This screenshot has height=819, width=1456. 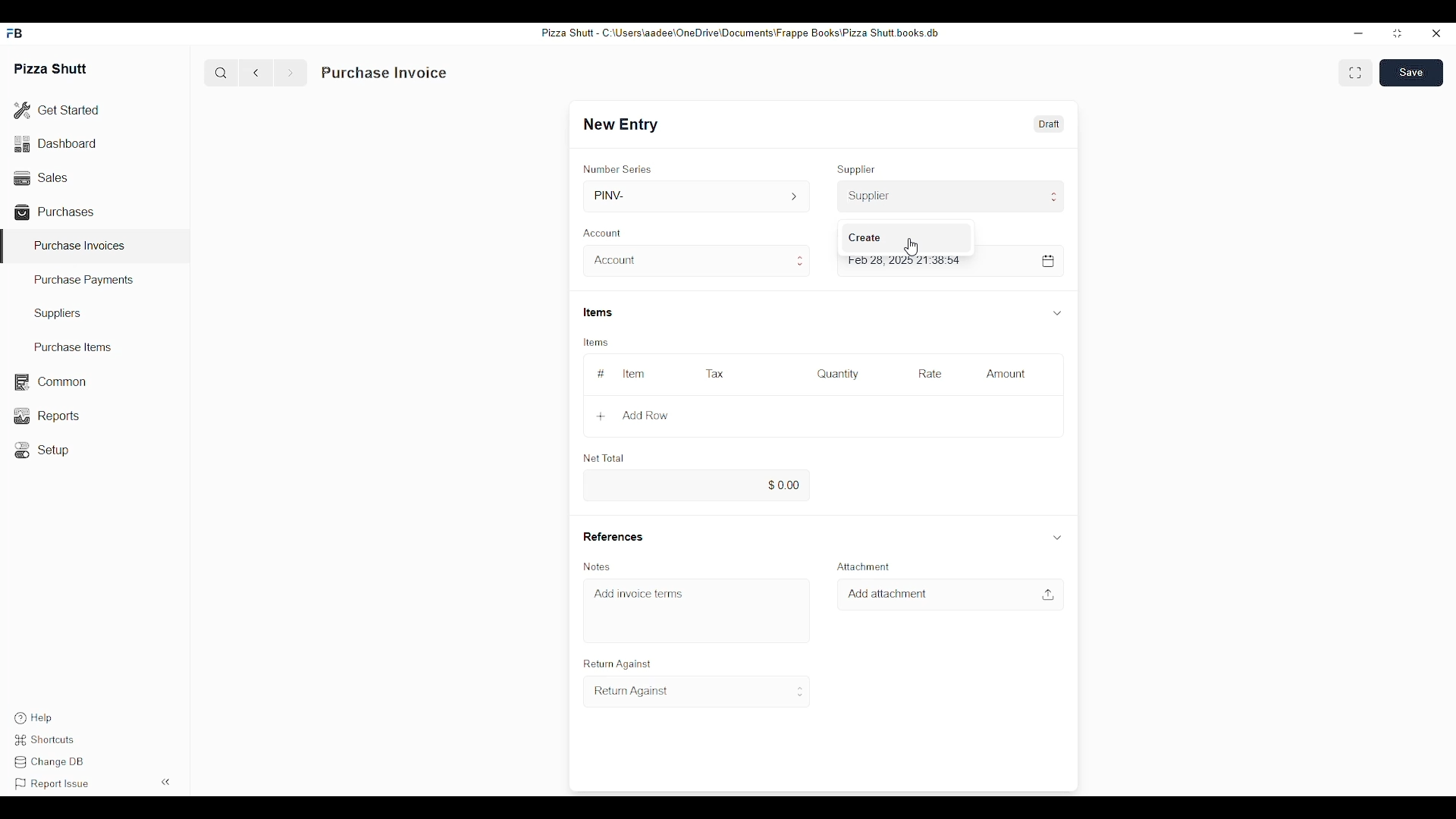 What do you see at coordinates (838, 373) in the screenshot?
I see `Quantity` at bounding box center [838, 373].